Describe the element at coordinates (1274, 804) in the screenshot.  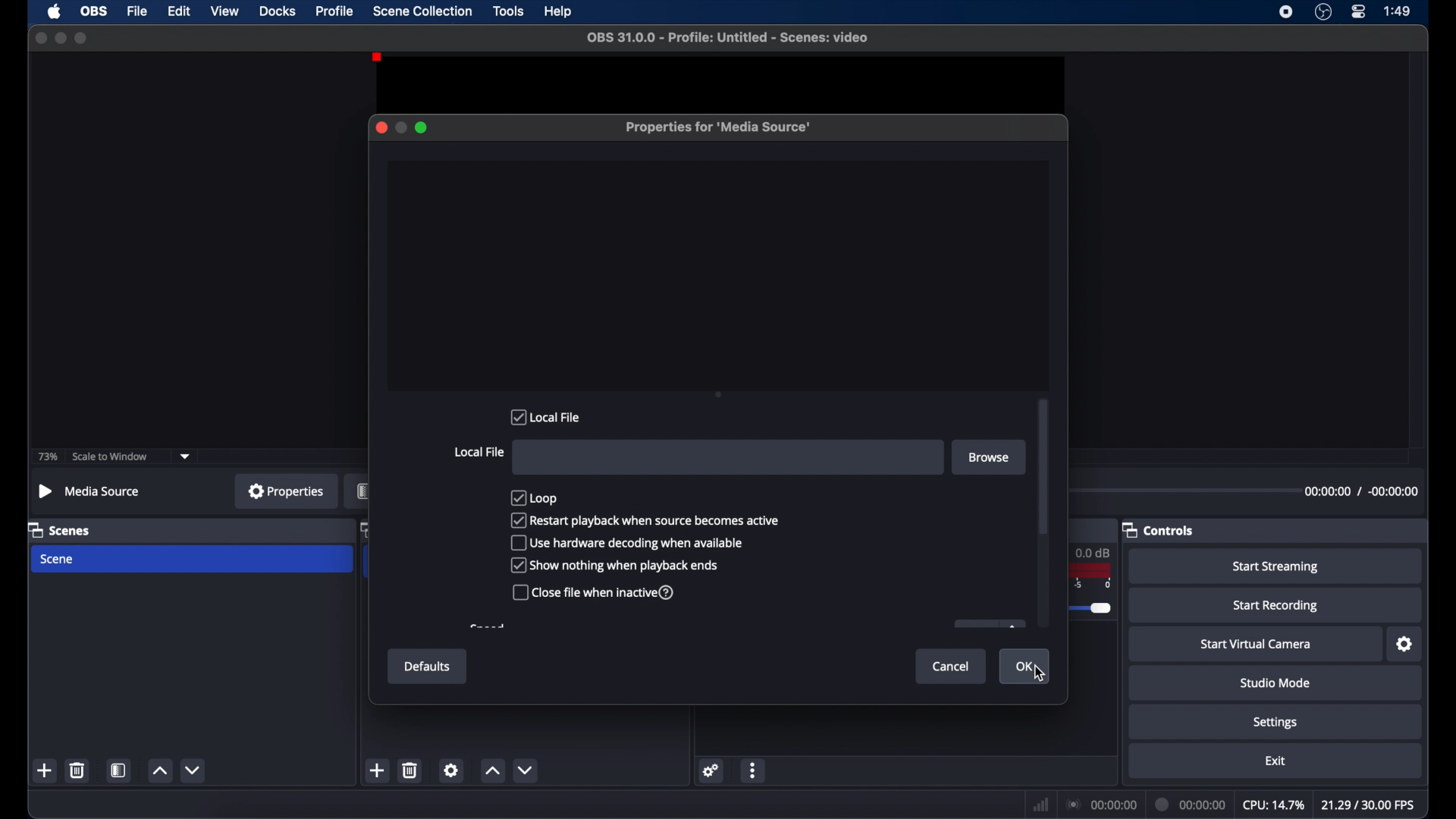
I see `` at that location.